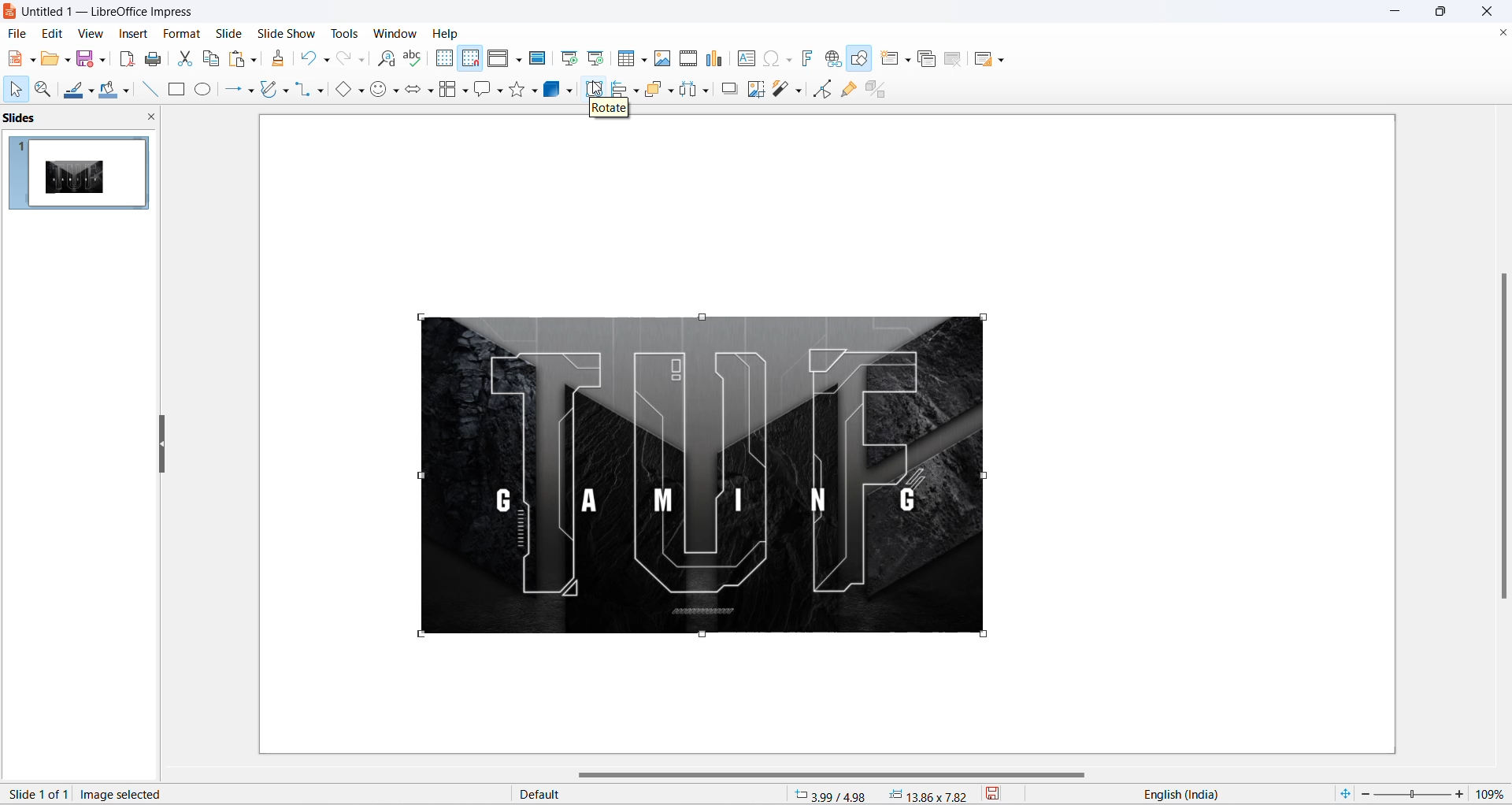 Image resolution: width=1512 pixels, height=805 pixels. I want to click on draw shapes , so click(862, 60).